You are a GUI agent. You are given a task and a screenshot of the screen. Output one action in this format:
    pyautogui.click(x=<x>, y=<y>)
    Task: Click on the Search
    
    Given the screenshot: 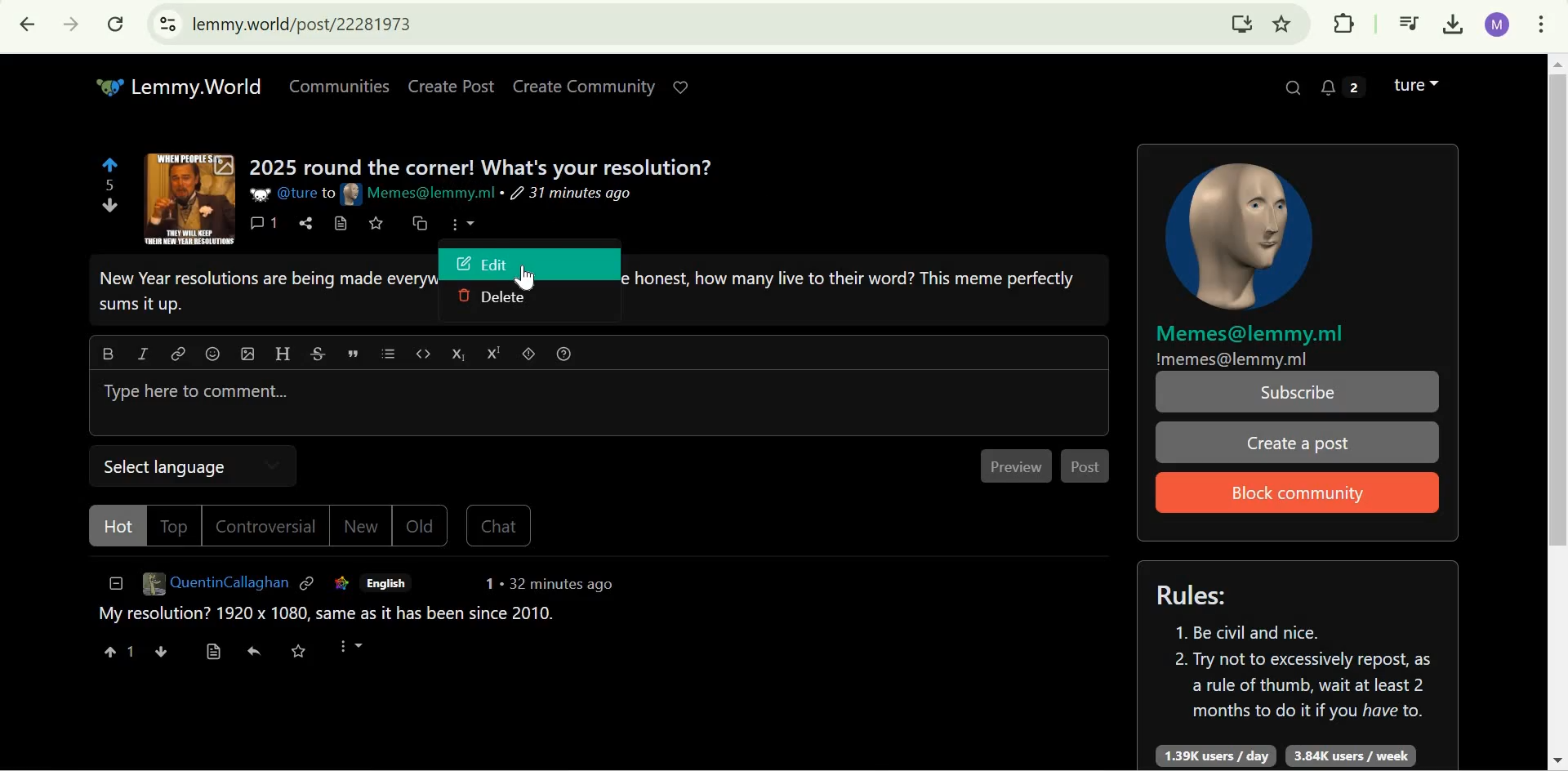 What is the action you would take?
    pyautogui.click(x=1294, y=86)
    